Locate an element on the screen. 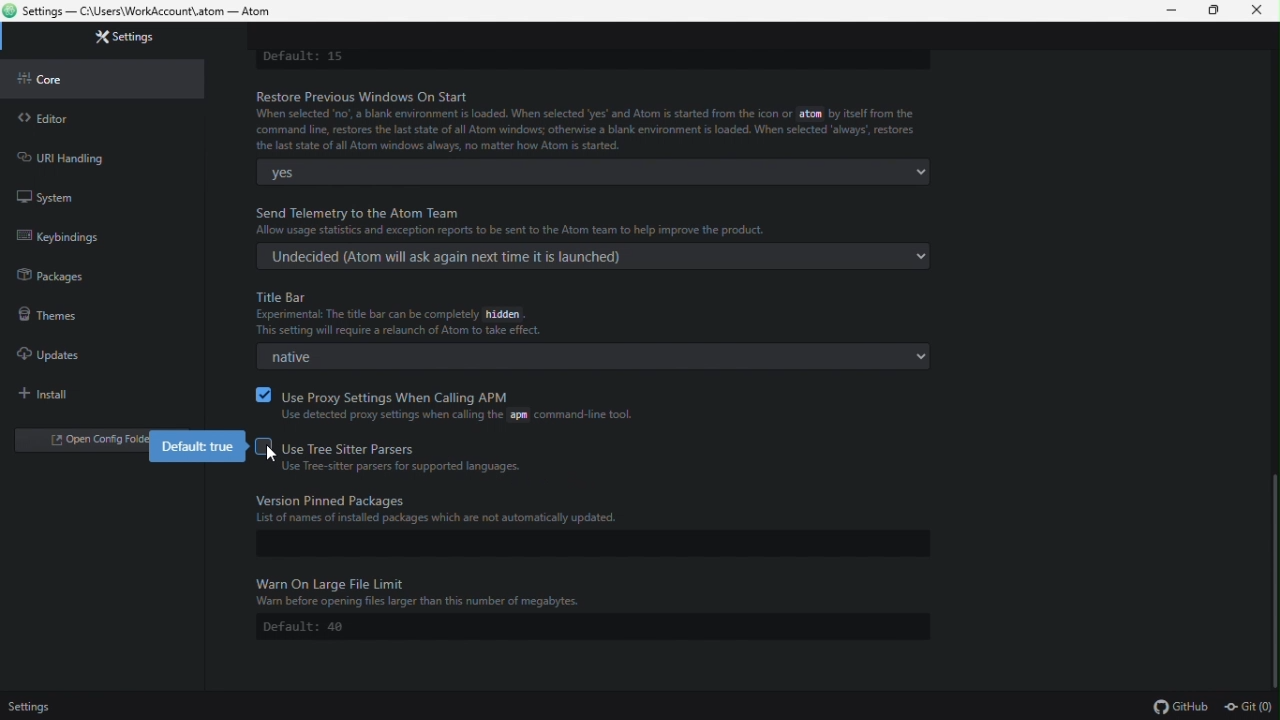  textbox is located at coordinates (588, 544).